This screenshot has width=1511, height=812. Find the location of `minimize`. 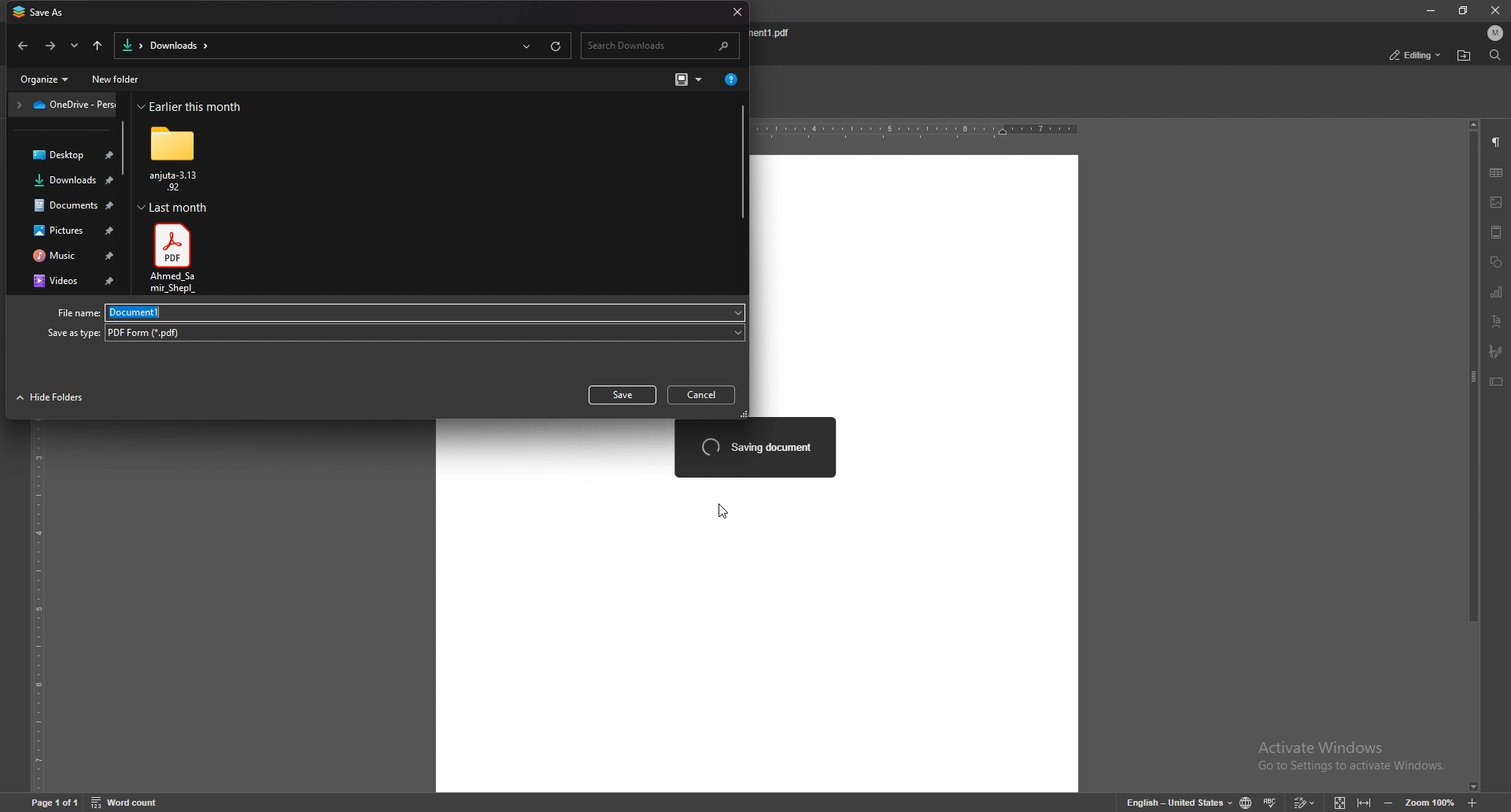

minimize is located at coordinates (1430, 10).